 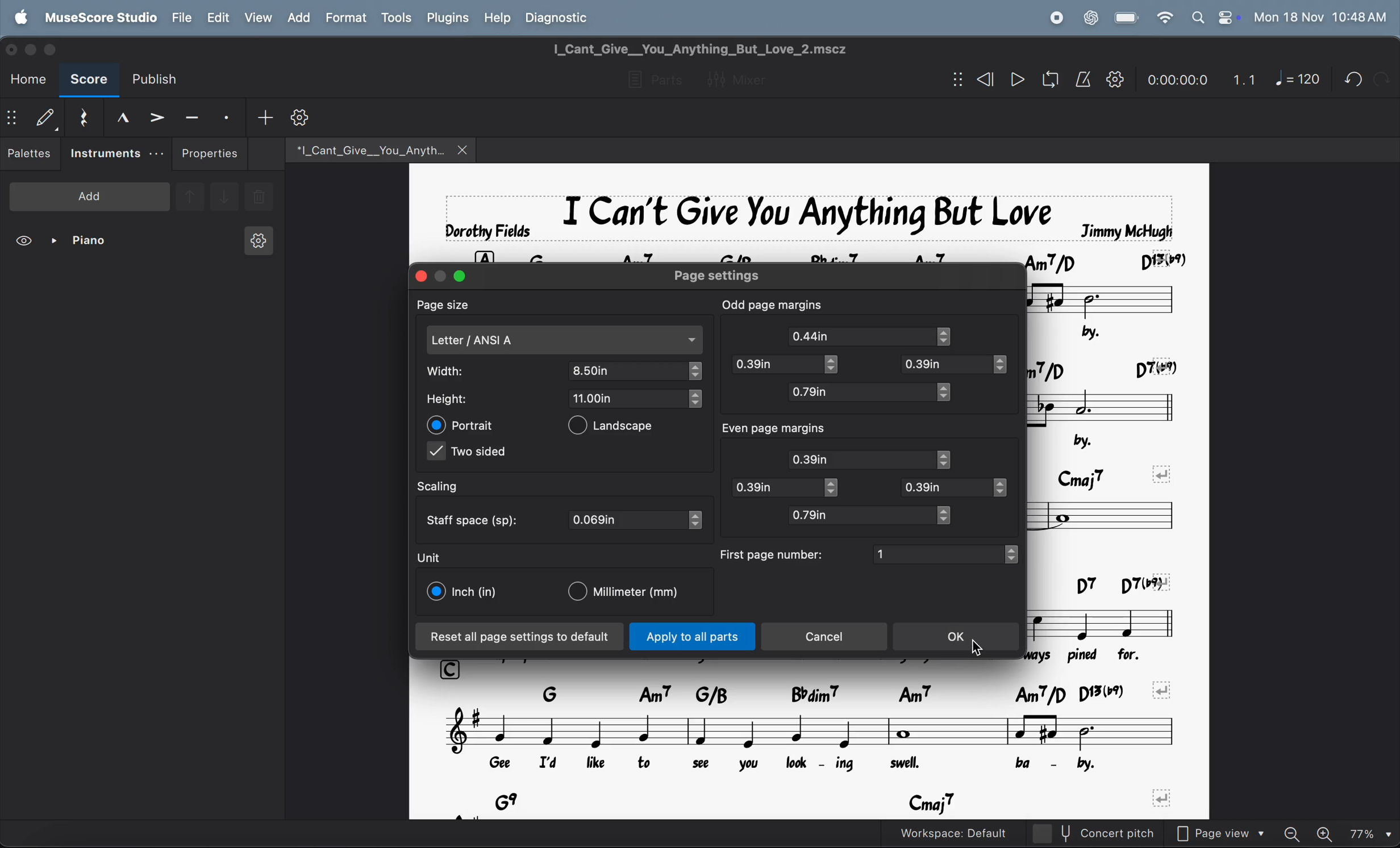 I want to click on reset, so click(x=82, y=115).